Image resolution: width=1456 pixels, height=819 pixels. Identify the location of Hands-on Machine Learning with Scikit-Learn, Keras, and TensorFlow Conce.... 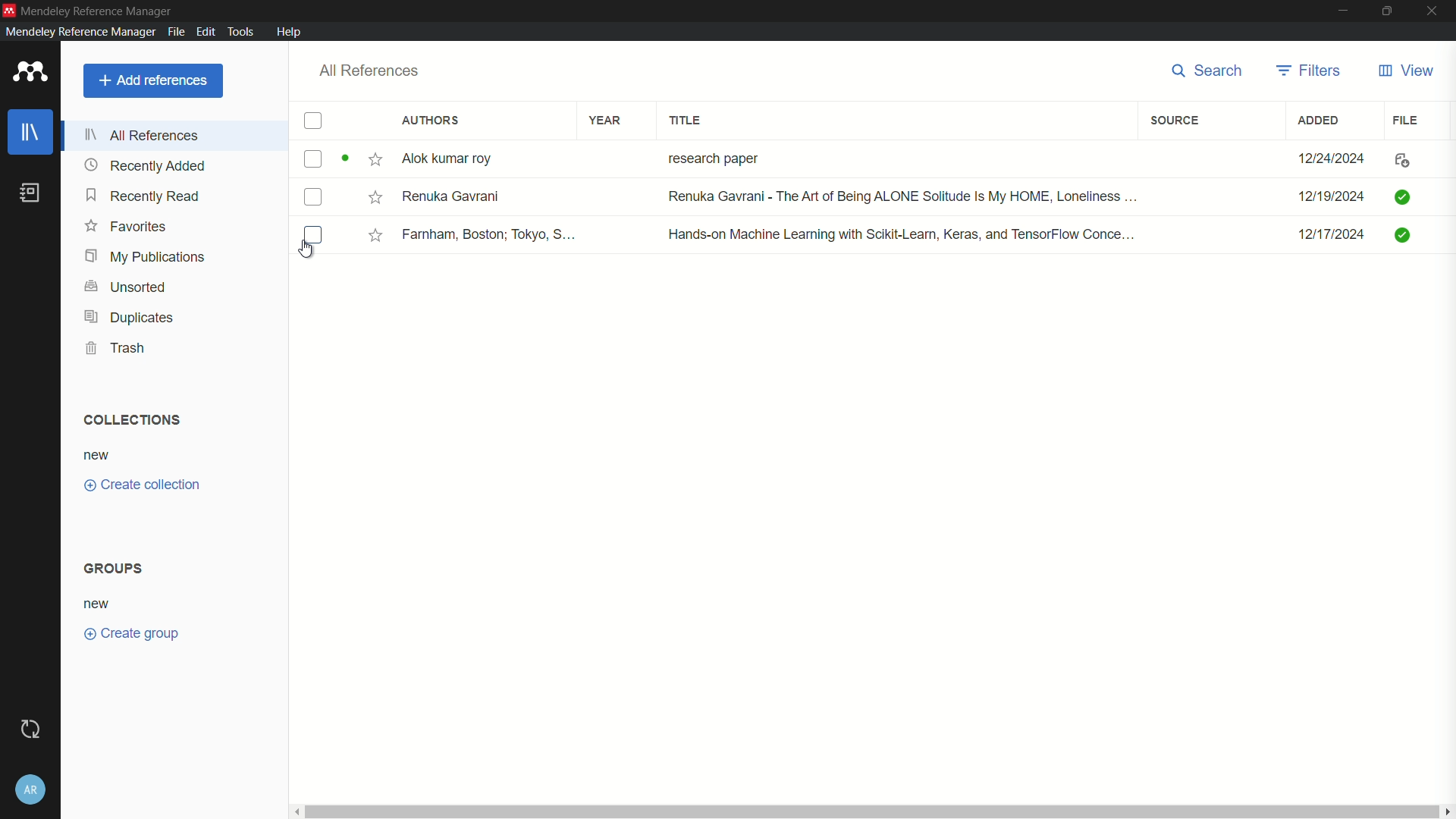
(902, 232).